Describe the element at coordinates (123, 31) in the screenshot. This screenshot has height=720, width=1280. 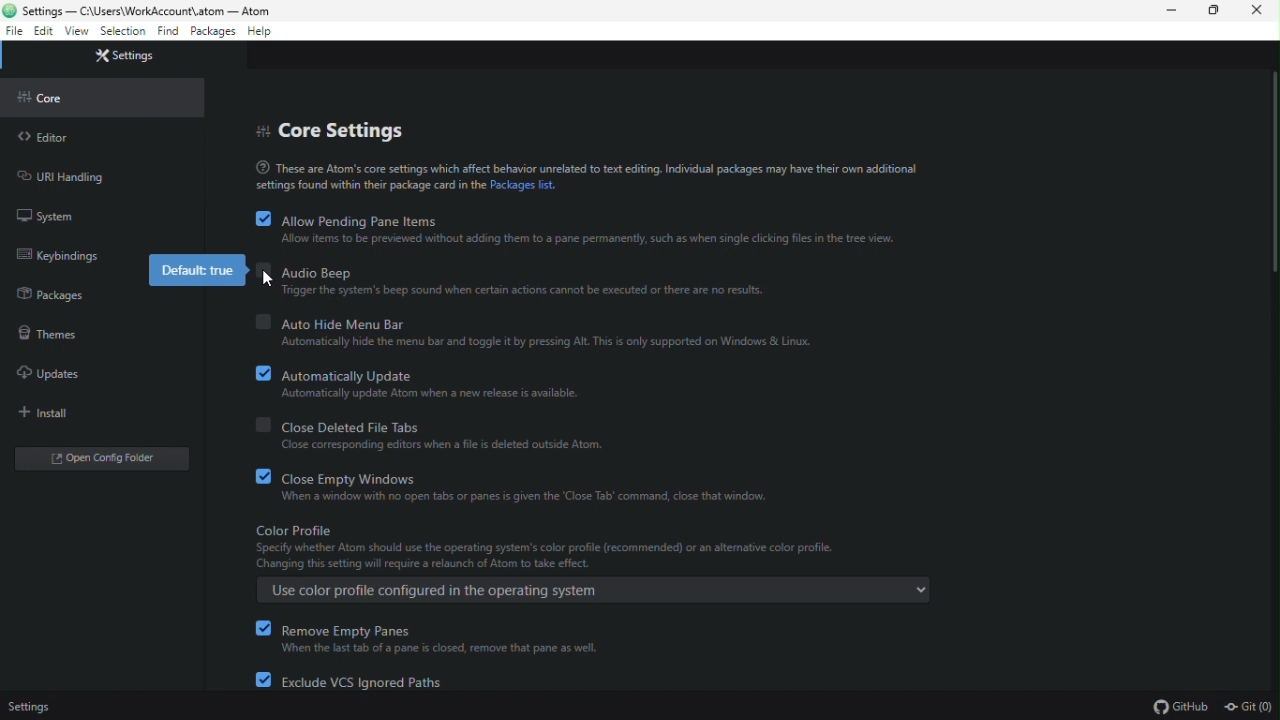
I see `selection` at that location.